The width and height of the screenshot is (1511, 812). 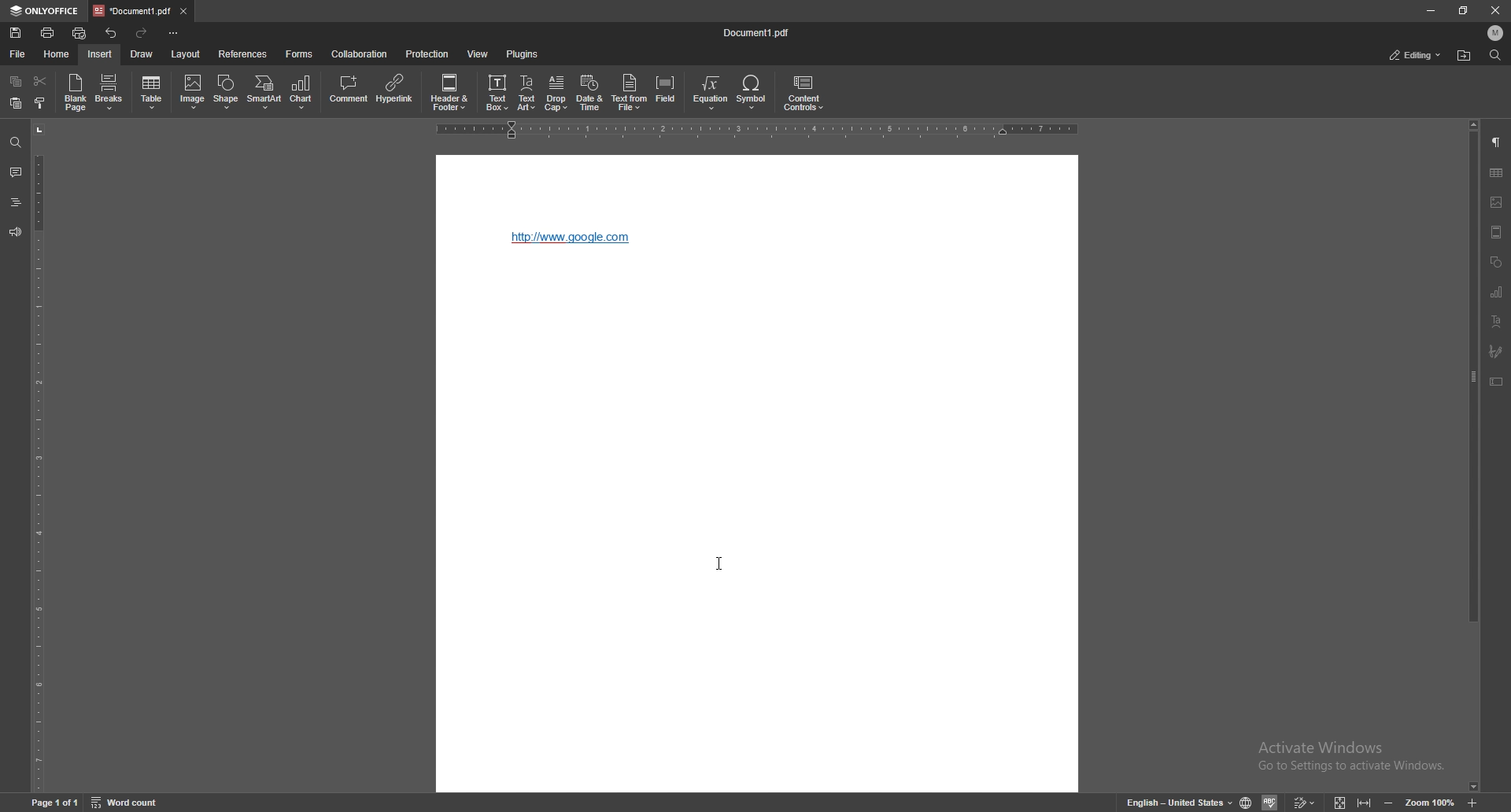 What do you see at coordinates (191, 93) in the screenshot?
I see `image` at bounding box center [191, 93].